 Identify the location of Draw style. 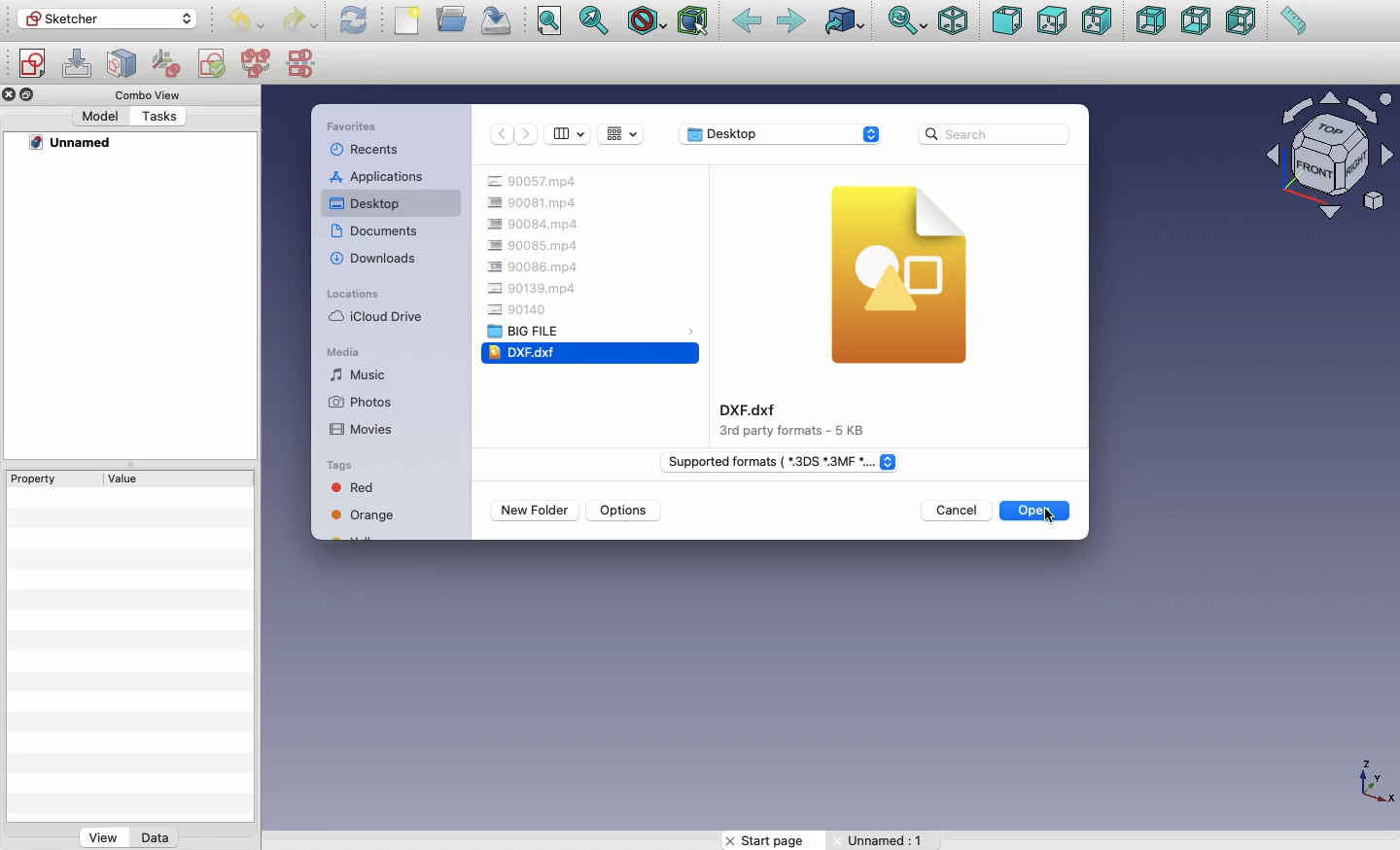
(649, 22).